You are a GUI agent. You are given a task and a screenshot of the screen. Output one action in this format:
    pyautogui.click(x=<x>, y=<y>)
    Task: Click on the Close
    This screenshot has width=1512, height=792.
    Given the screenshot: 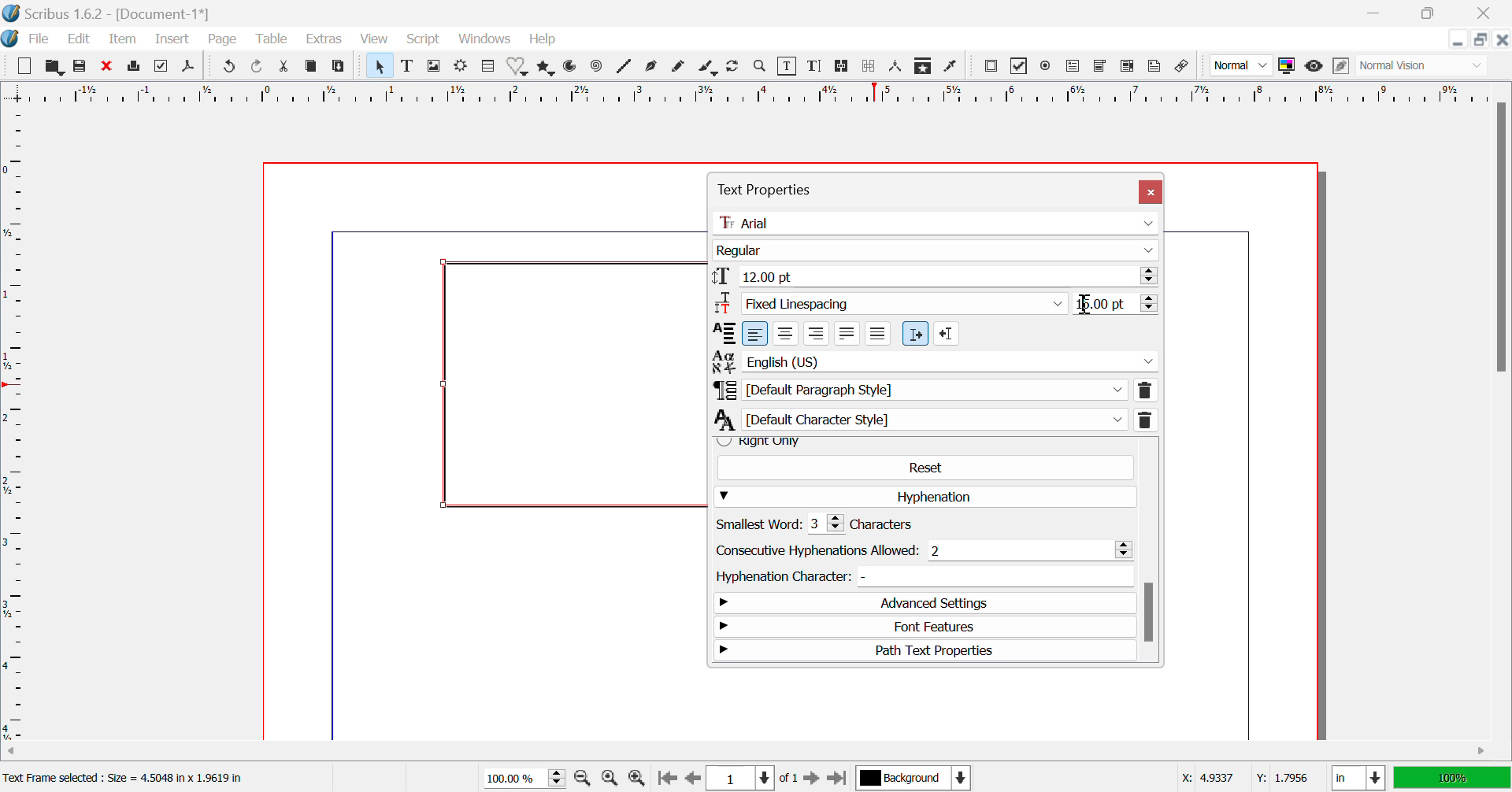 What is the action you would take?
    pyautogui.click(x=1484, y=13)
    